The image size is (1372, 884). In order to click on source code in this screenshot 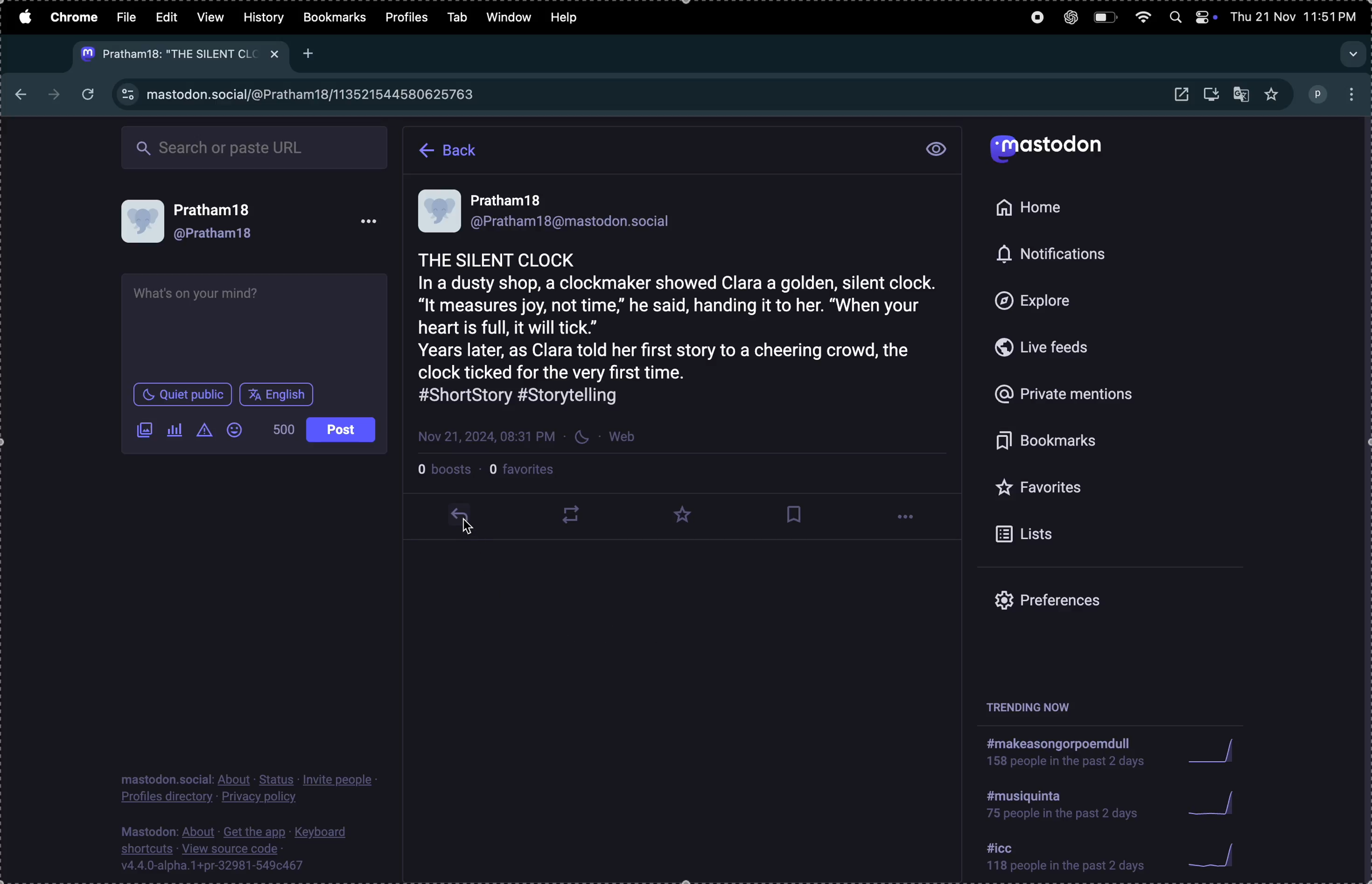, I will do `click(239, 850)`.